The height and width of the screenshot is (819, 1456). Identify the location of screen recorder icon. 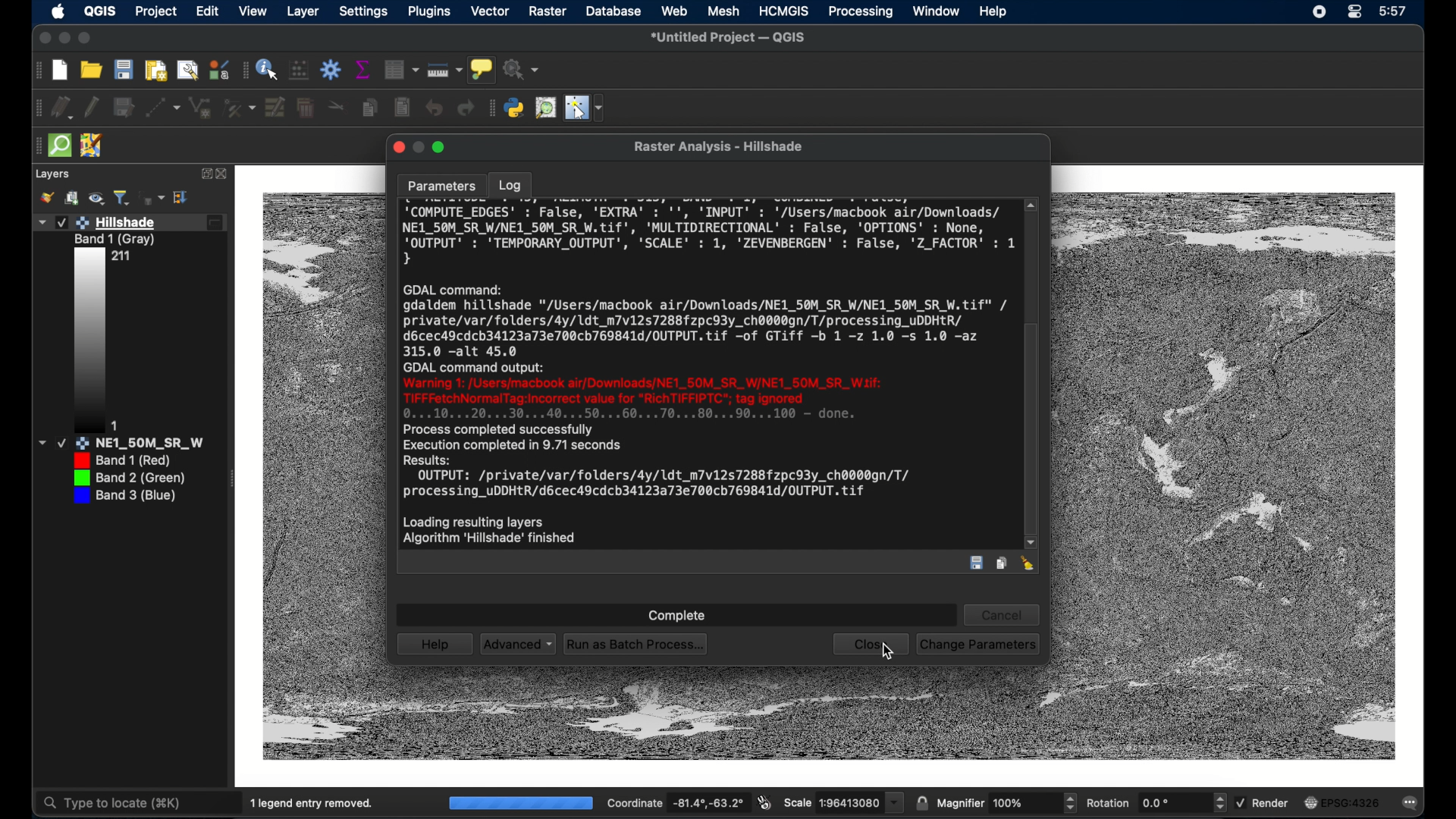
(1319, 13).